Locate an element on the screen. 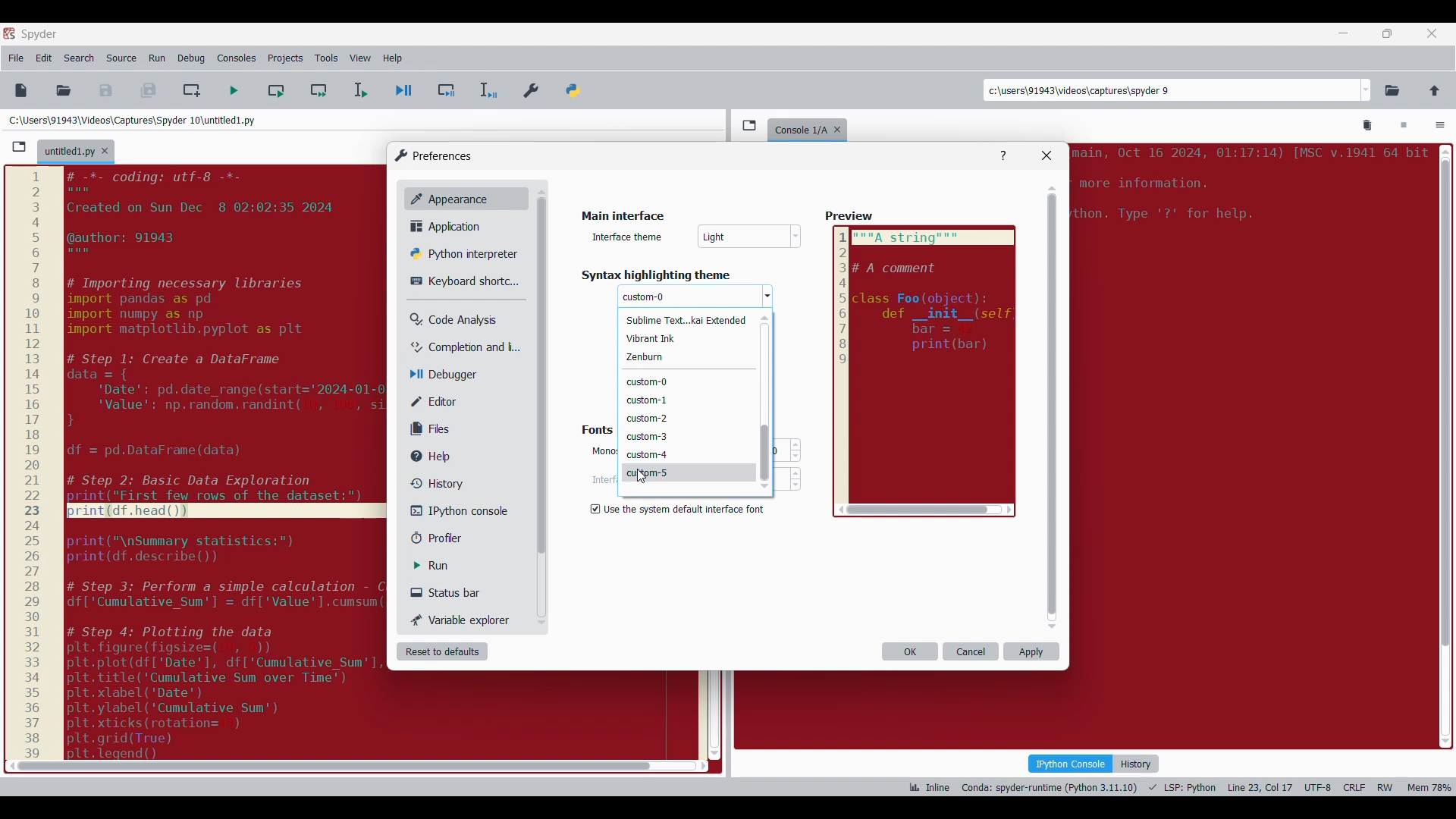 The width and height of the screenshot is (1456, 819). Status bar is located at coordinates (451, 592).